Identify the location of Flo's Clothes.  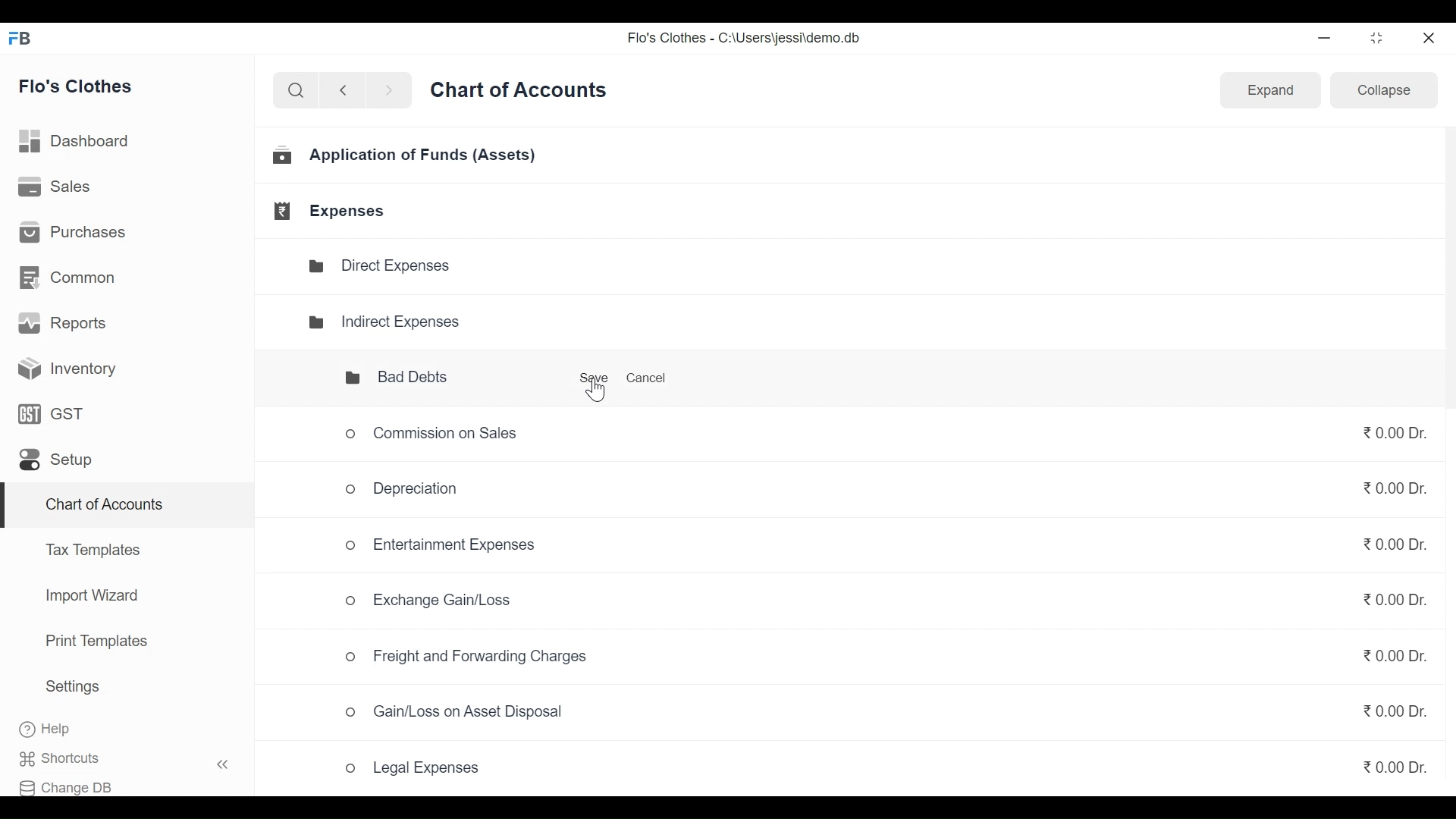
(83, 87).